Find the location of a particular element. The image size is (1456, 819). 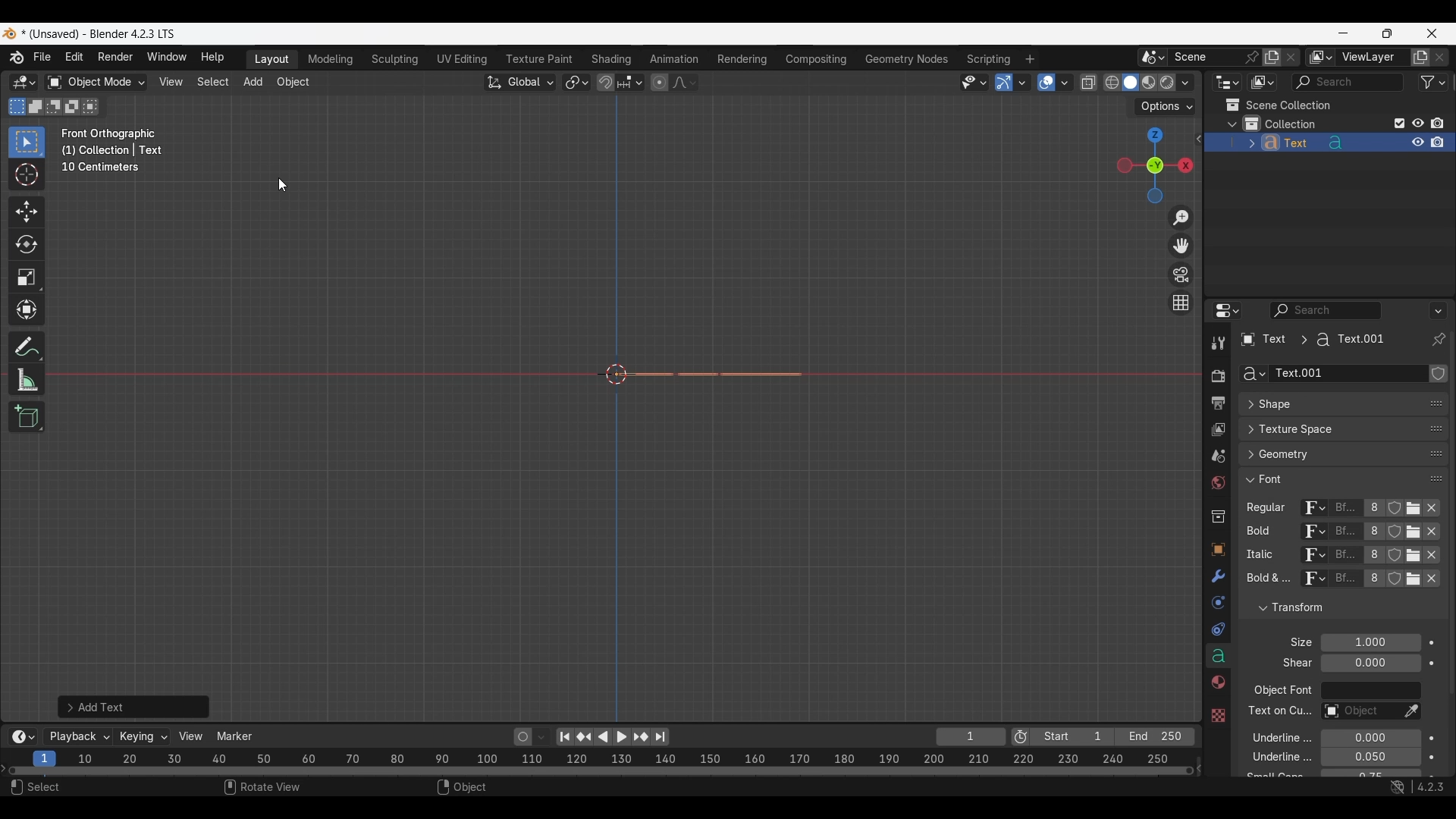

Object is located at coordinates (460, 789).